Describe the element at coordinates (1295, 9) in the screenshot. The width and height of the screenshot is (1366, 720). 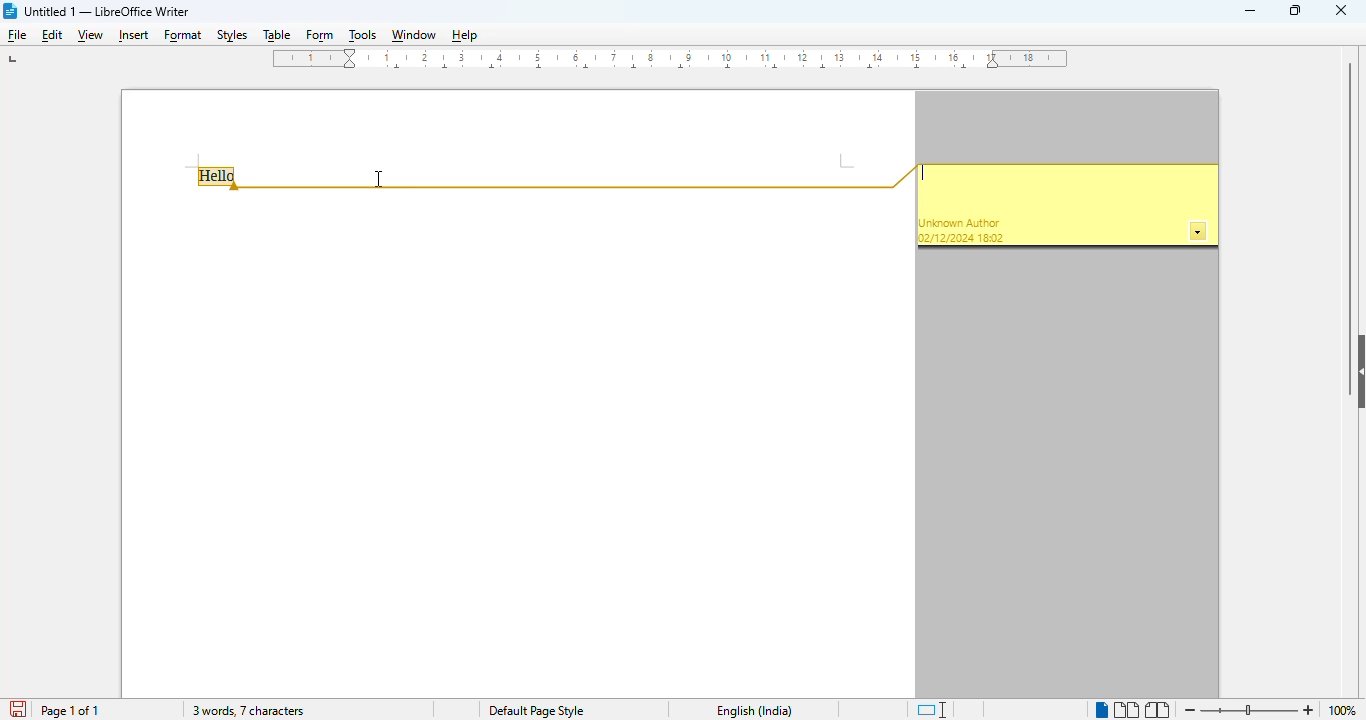
I see `maximize` at that location.